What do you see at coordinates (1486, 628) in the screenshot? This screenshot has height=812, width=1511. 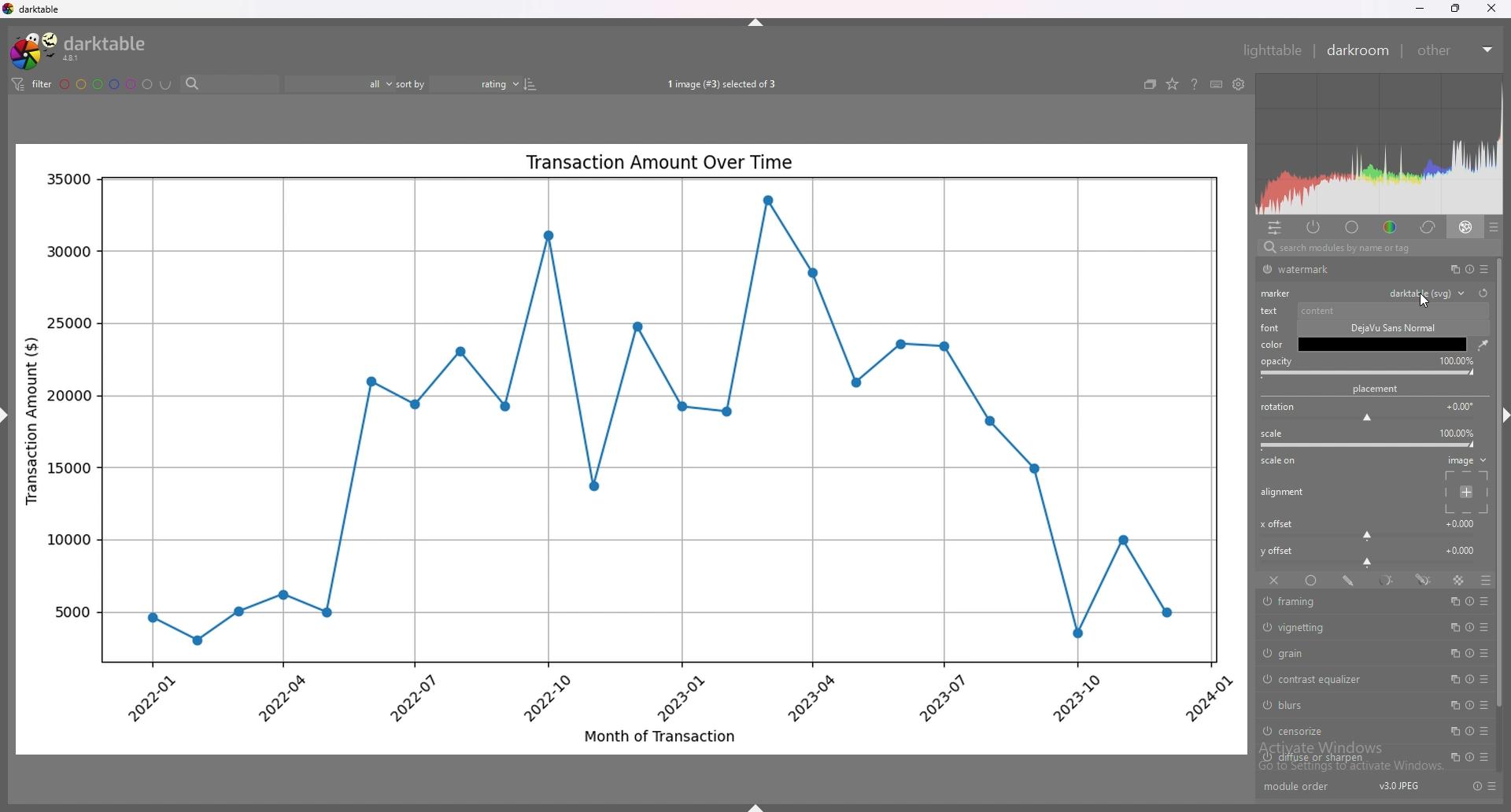 I see `presets` at bounding box center [1486, 628].